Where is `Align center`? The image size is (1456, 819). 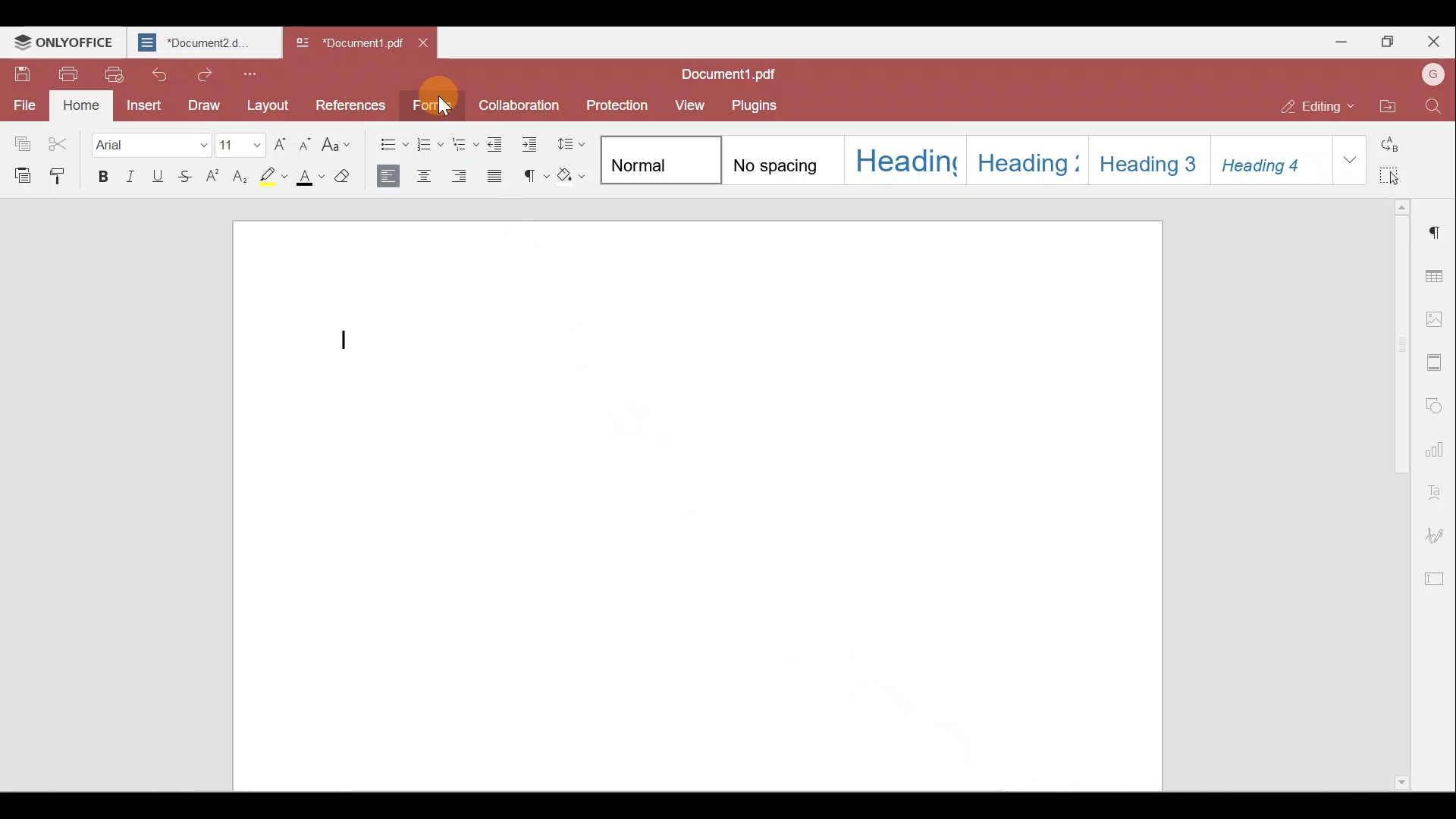
Align center is located at coordinates (427, 177).